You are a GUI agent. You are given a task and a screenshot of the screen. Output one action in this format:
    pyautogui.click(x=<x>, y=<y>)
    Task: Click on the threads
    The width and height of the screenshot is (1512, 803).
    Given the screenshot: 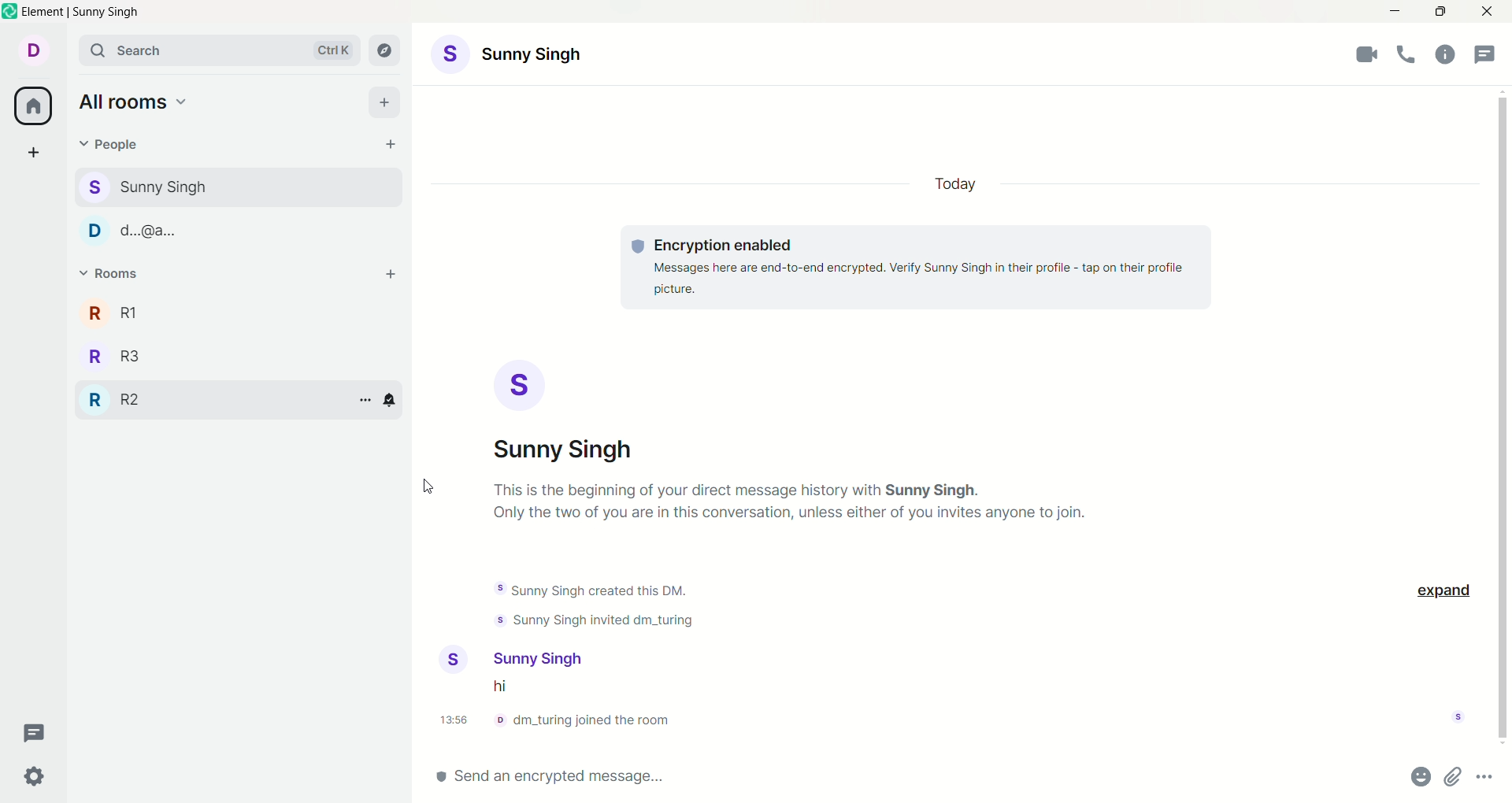 What is the action you would take?
    pyautogui.click(x=41, y=730)
    